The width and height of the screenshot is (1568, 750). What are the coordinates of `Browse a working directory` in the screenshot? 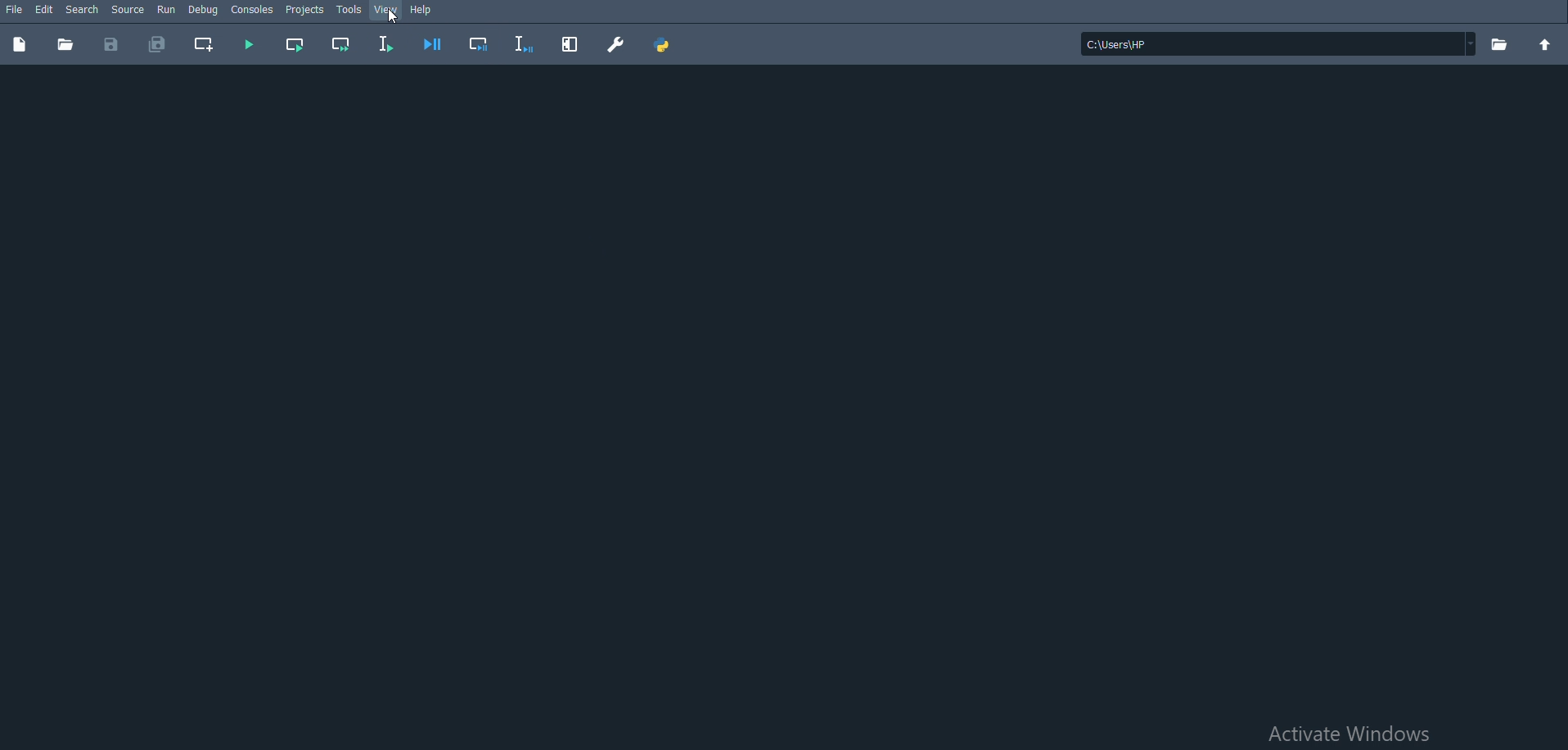 It's located at (1500, 44).